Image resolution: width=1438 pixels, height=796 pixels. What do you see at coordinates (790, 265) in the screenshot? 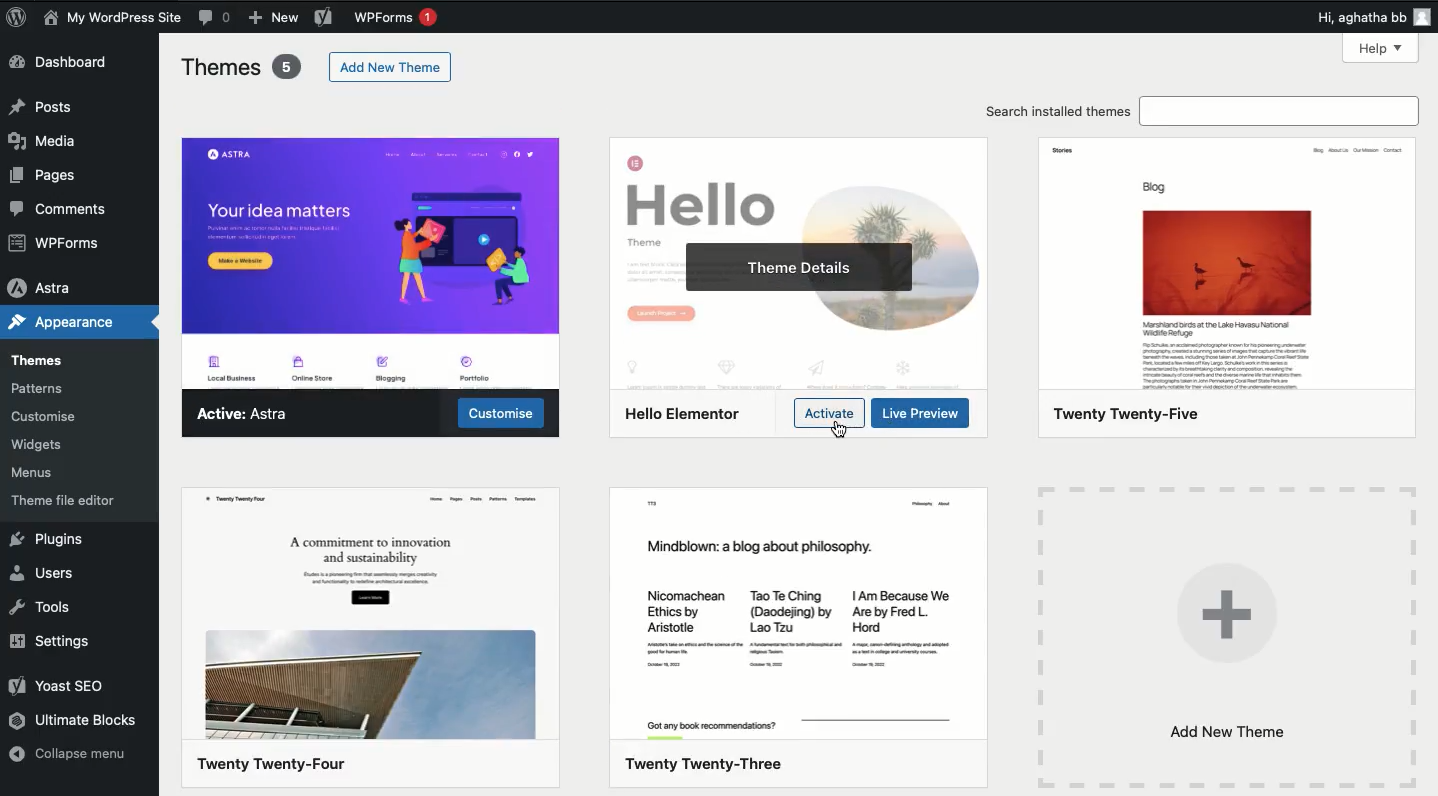
I see `Theme details` at bounding box center [790, 265].